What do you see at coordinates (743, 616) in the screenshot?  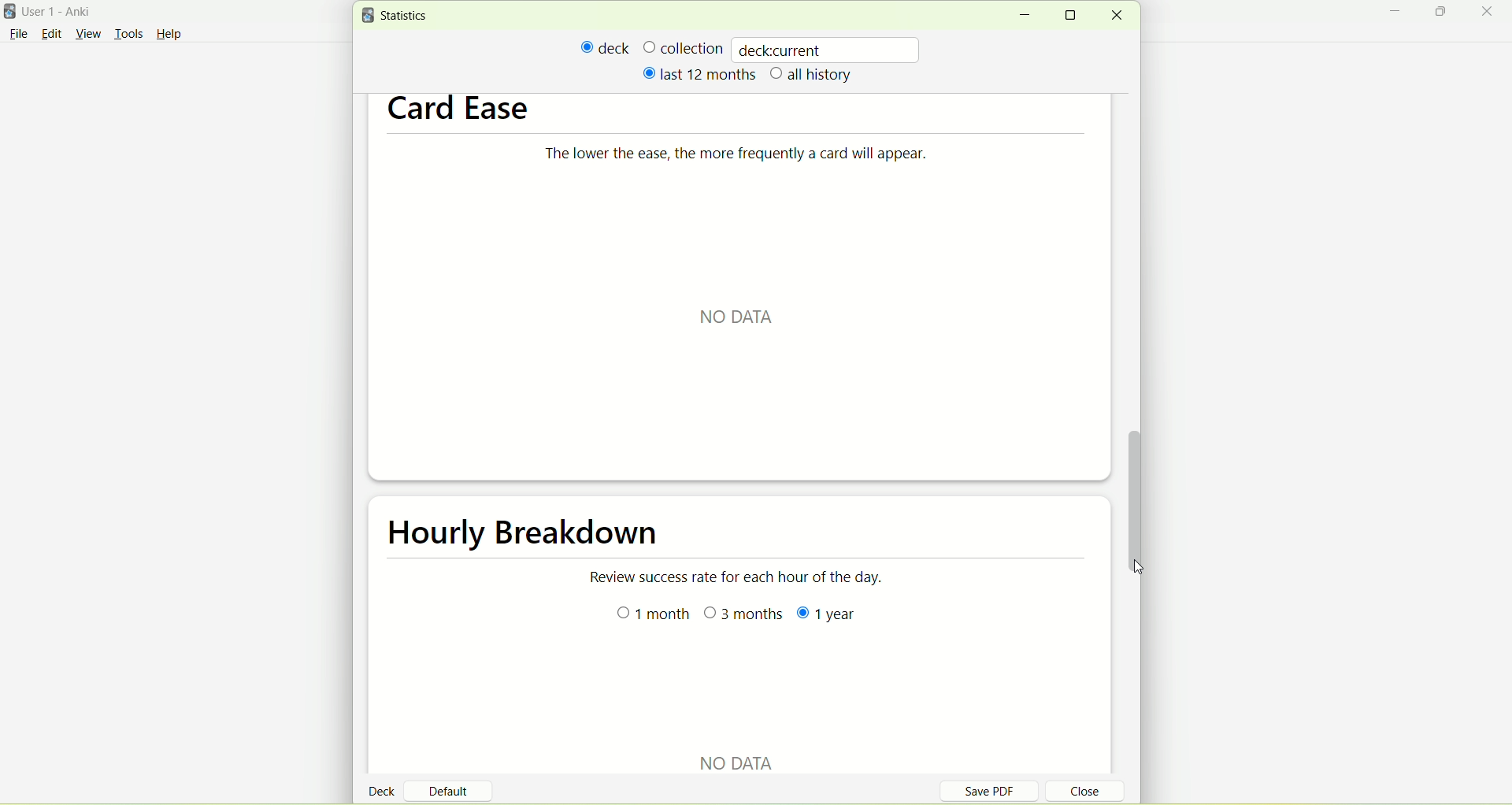 I see `3 months` at bounding box center [743, 616].